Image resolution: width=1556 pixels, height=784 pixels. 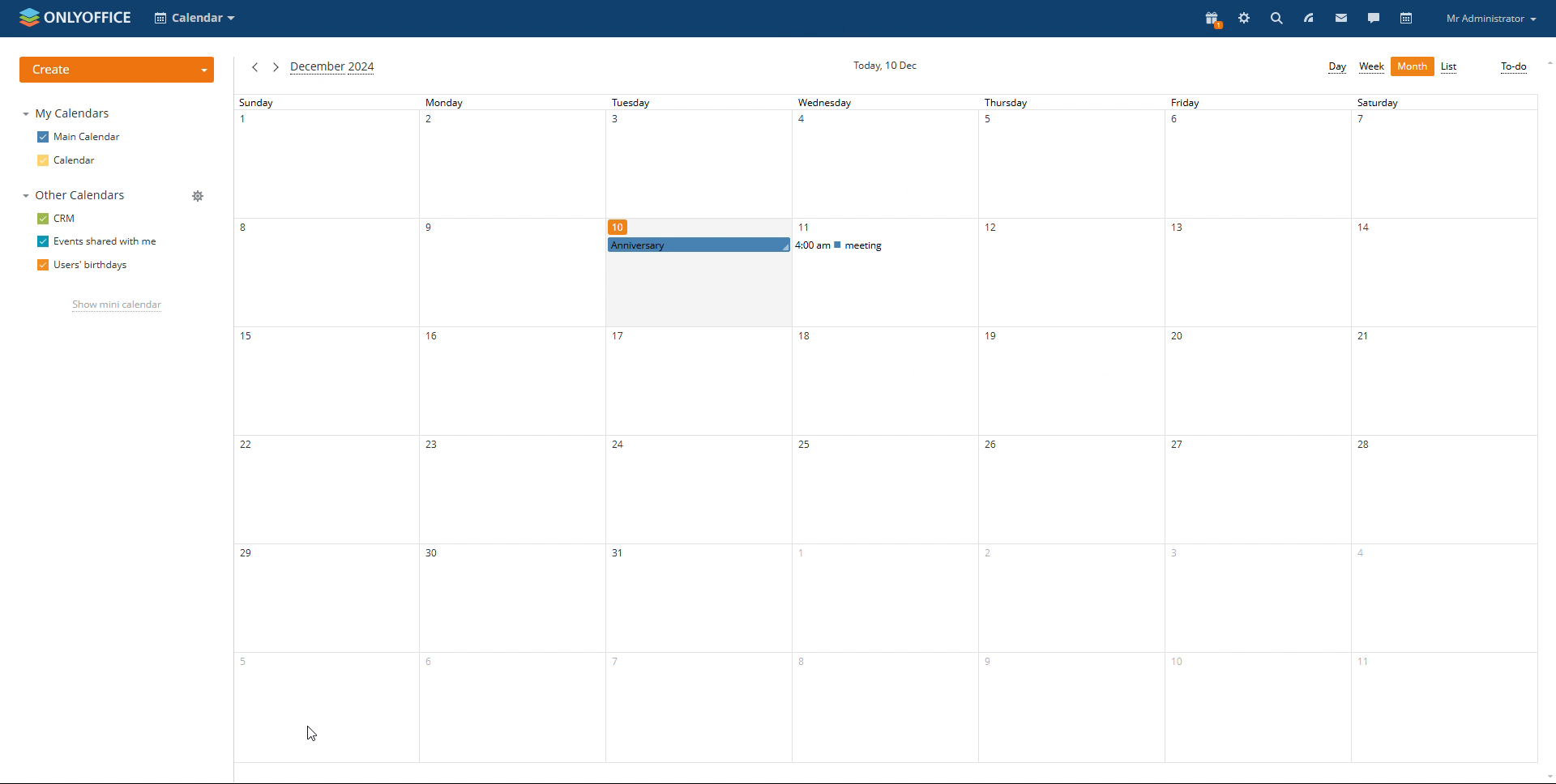 What do you see at coordinates (1244, 19) in the screenshot?
I see `settings` at bounding box center [1244, 19].